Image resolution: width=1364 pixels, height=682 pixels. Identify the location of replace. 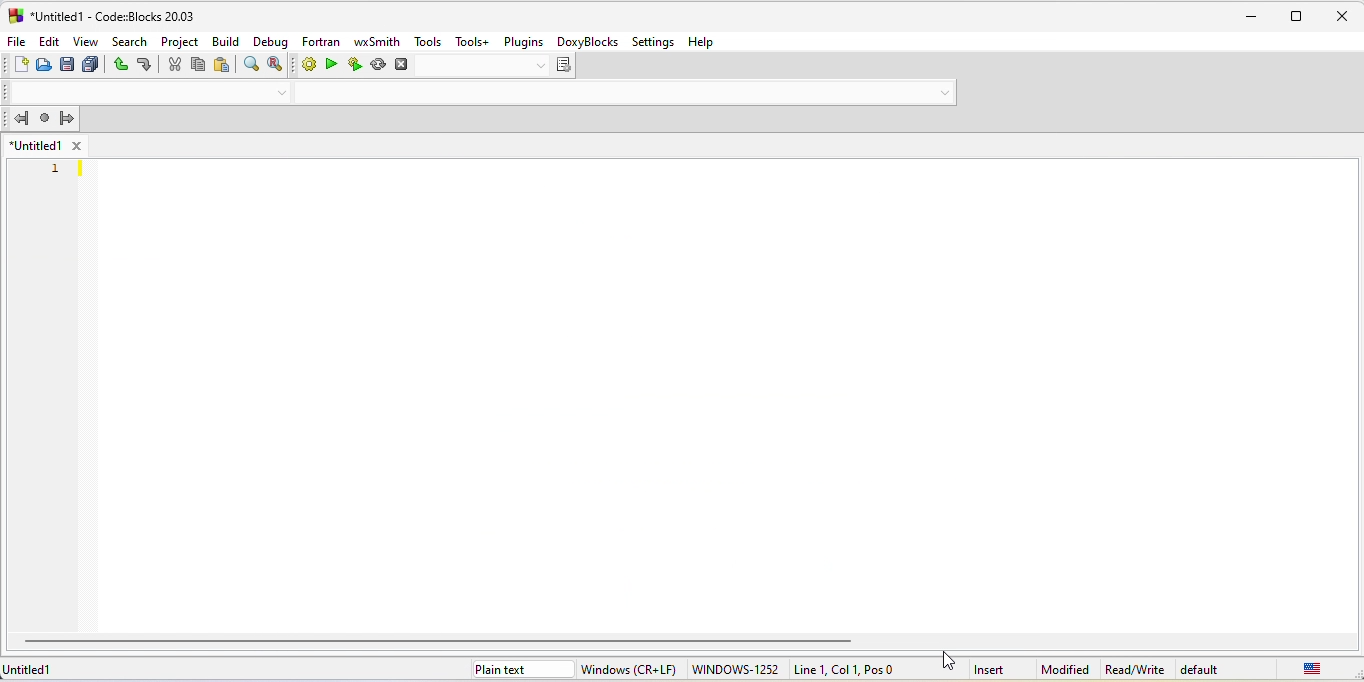
(274, 63).